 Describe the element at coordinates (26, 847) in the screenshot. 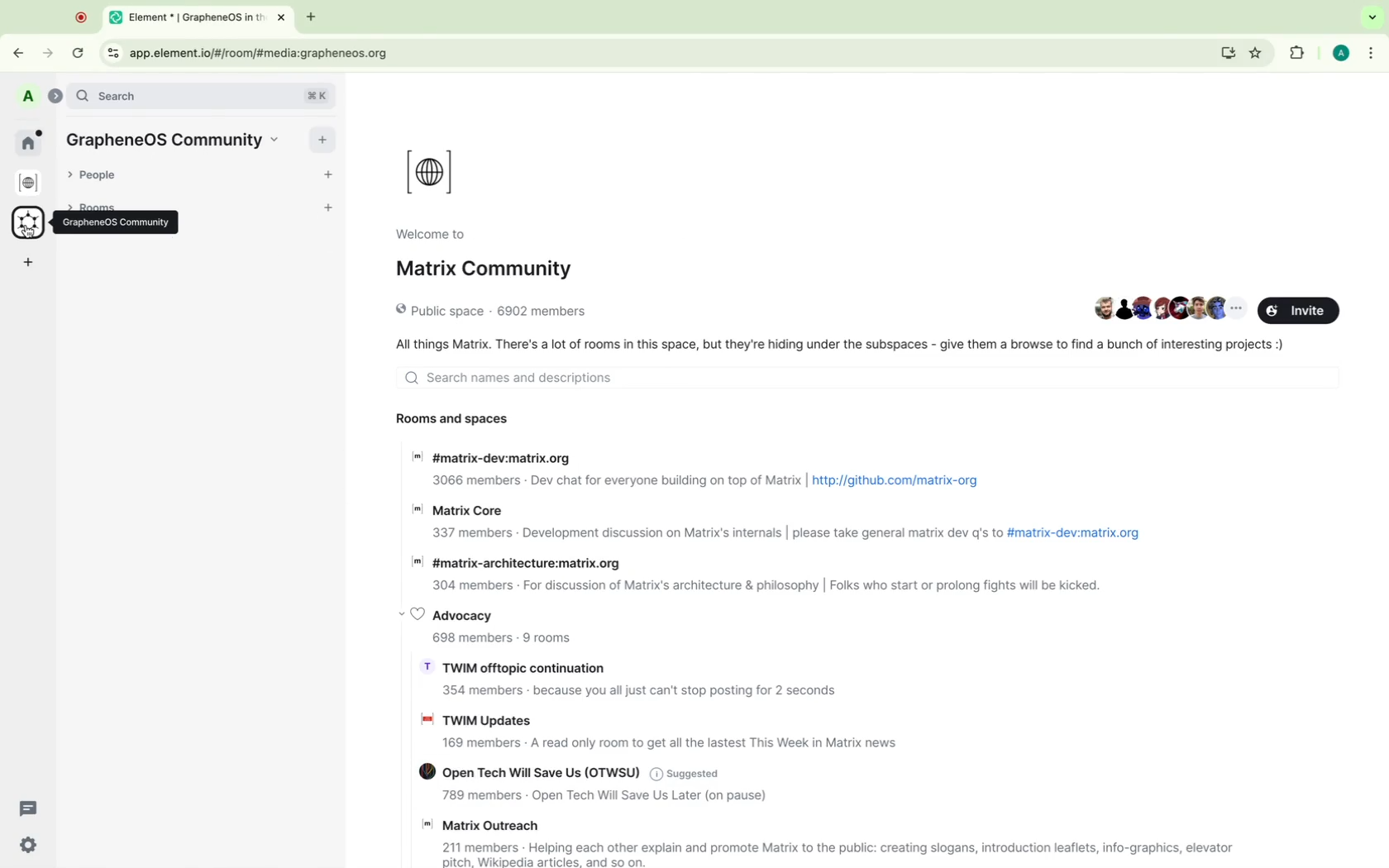

I see `quick settings` at that location.